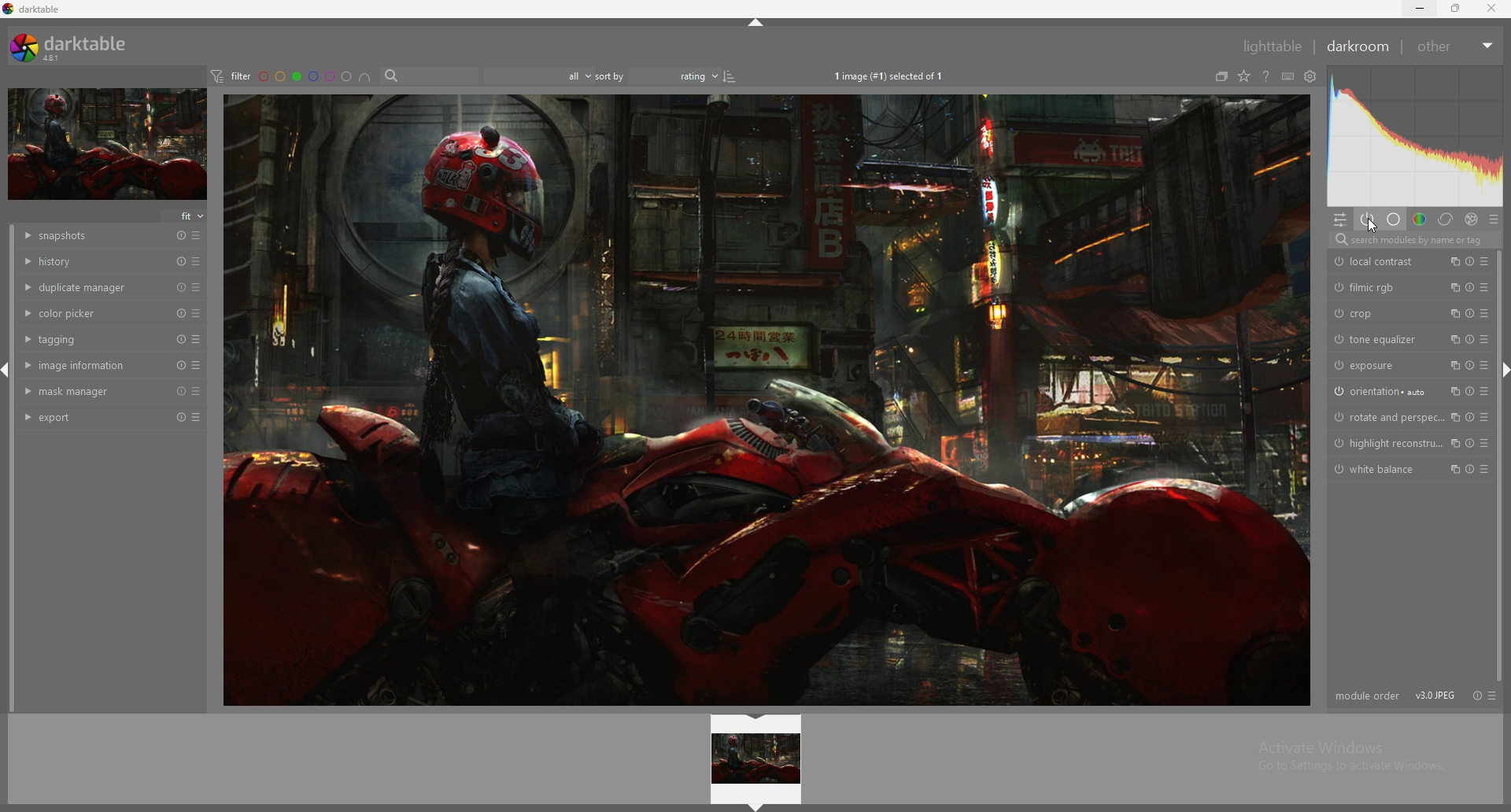 This screenshot has width=1511, height=812. I want to click on target image, so click(766, 400).